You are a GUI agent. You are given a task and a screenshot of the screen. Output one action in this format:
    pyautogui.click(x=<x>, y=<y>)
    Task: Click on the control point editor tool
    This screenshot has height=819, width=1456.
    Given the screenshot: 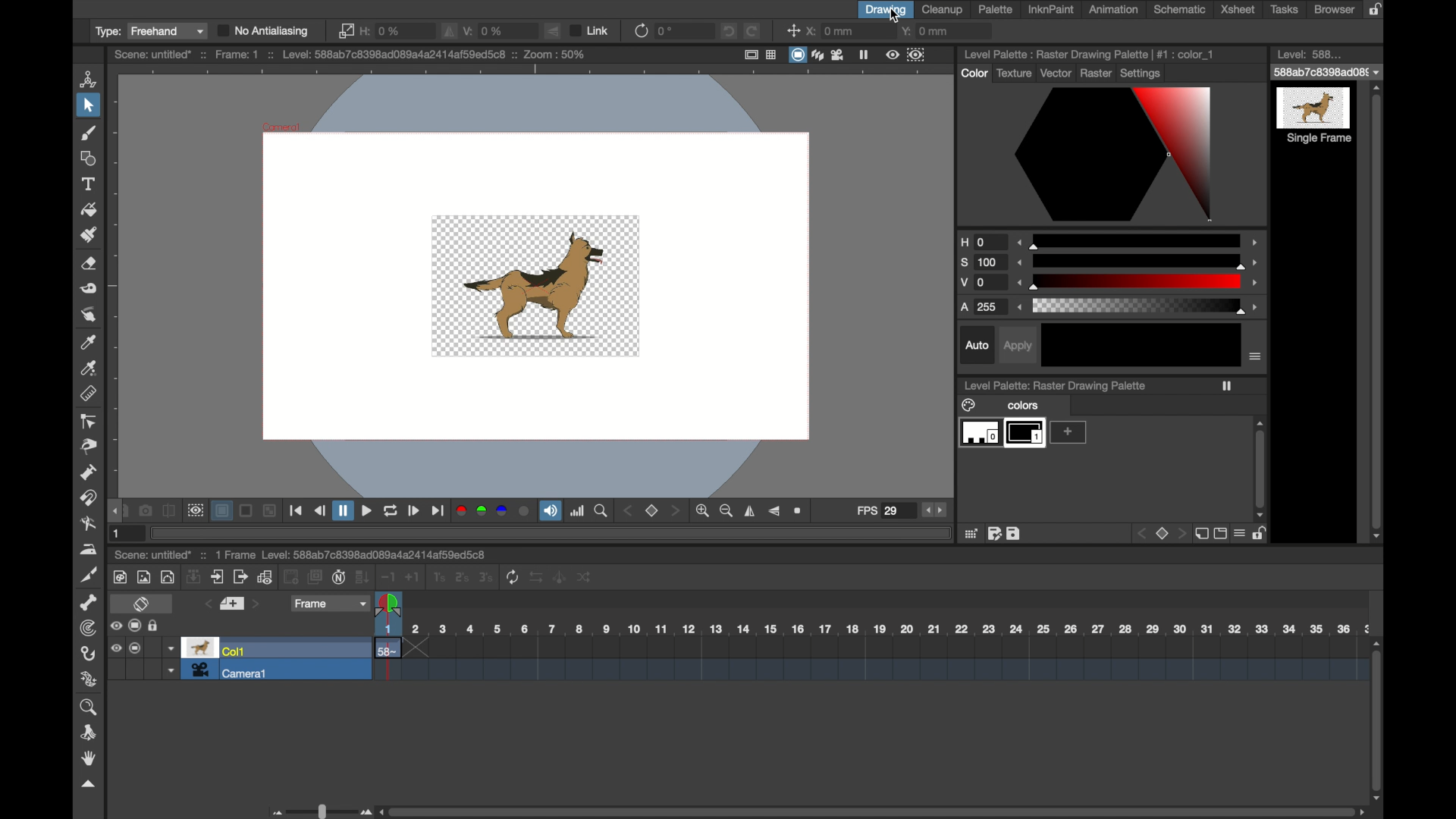 What is the action you would take?
    pyautogui.click(x=87, y=422)
    